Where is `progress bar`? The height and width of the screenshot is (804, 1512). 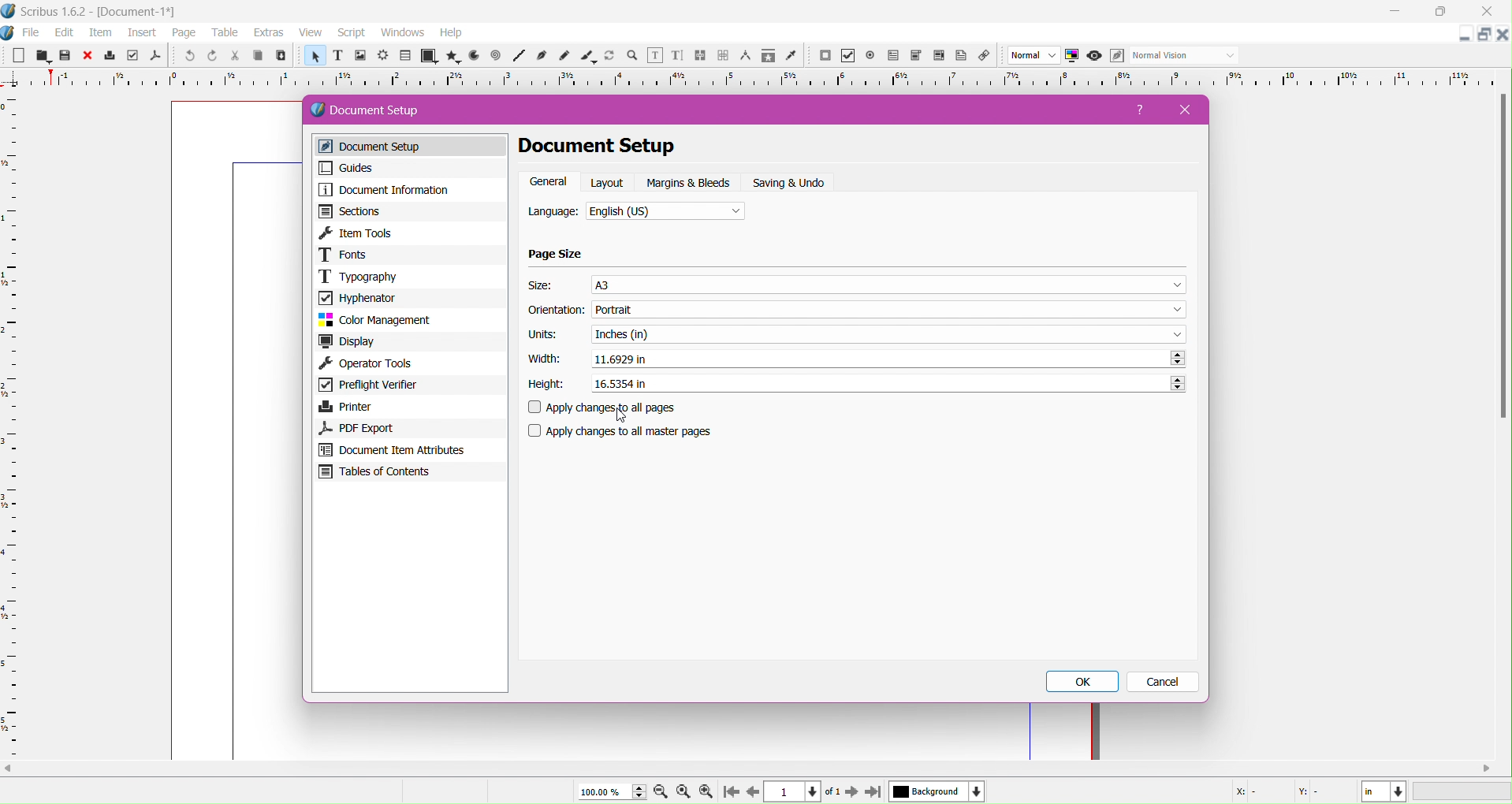
progress bar is located at coordinates (1463, 792).